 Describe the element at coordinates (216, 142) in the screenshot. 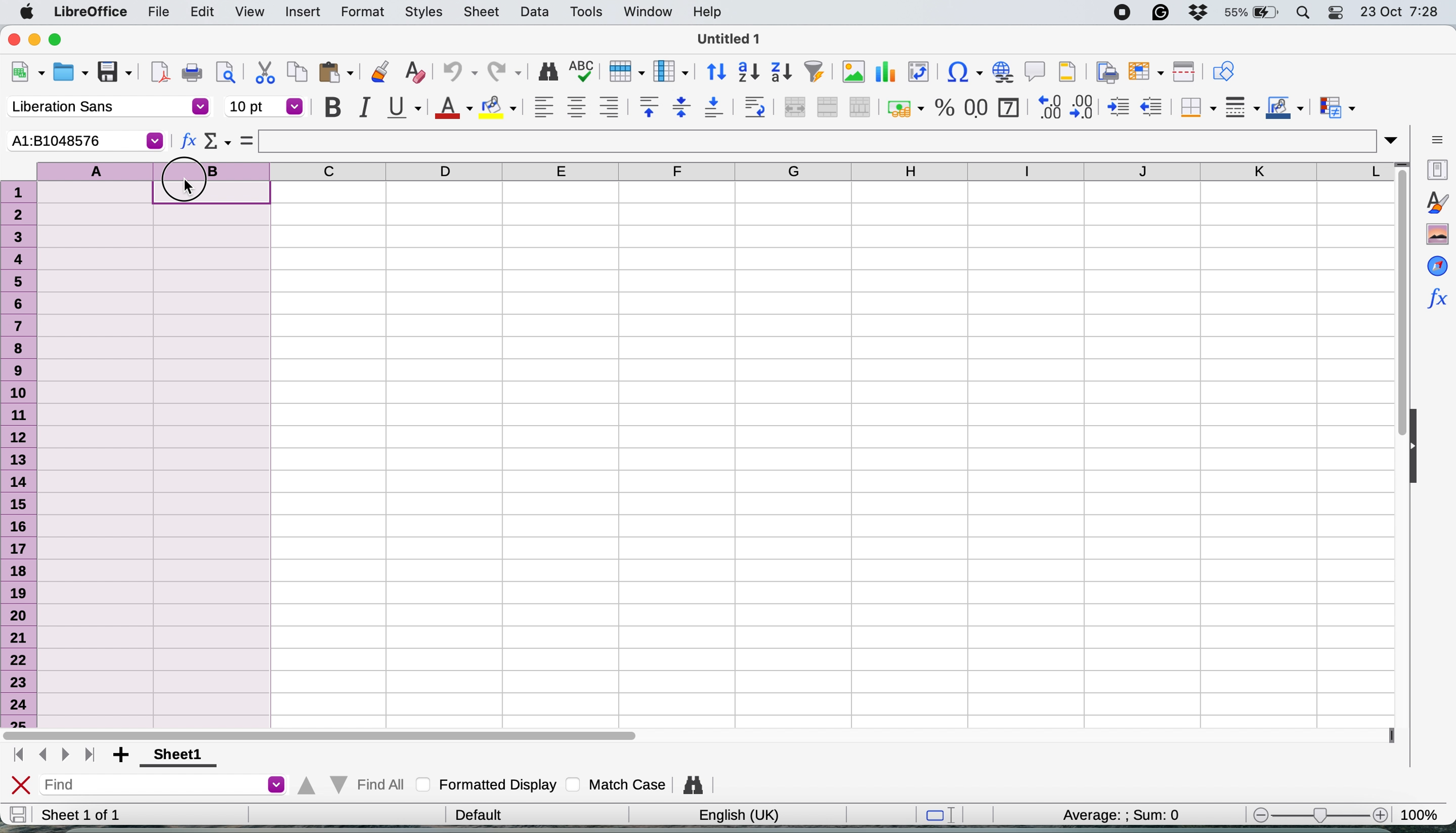

I see `select function` at that location.